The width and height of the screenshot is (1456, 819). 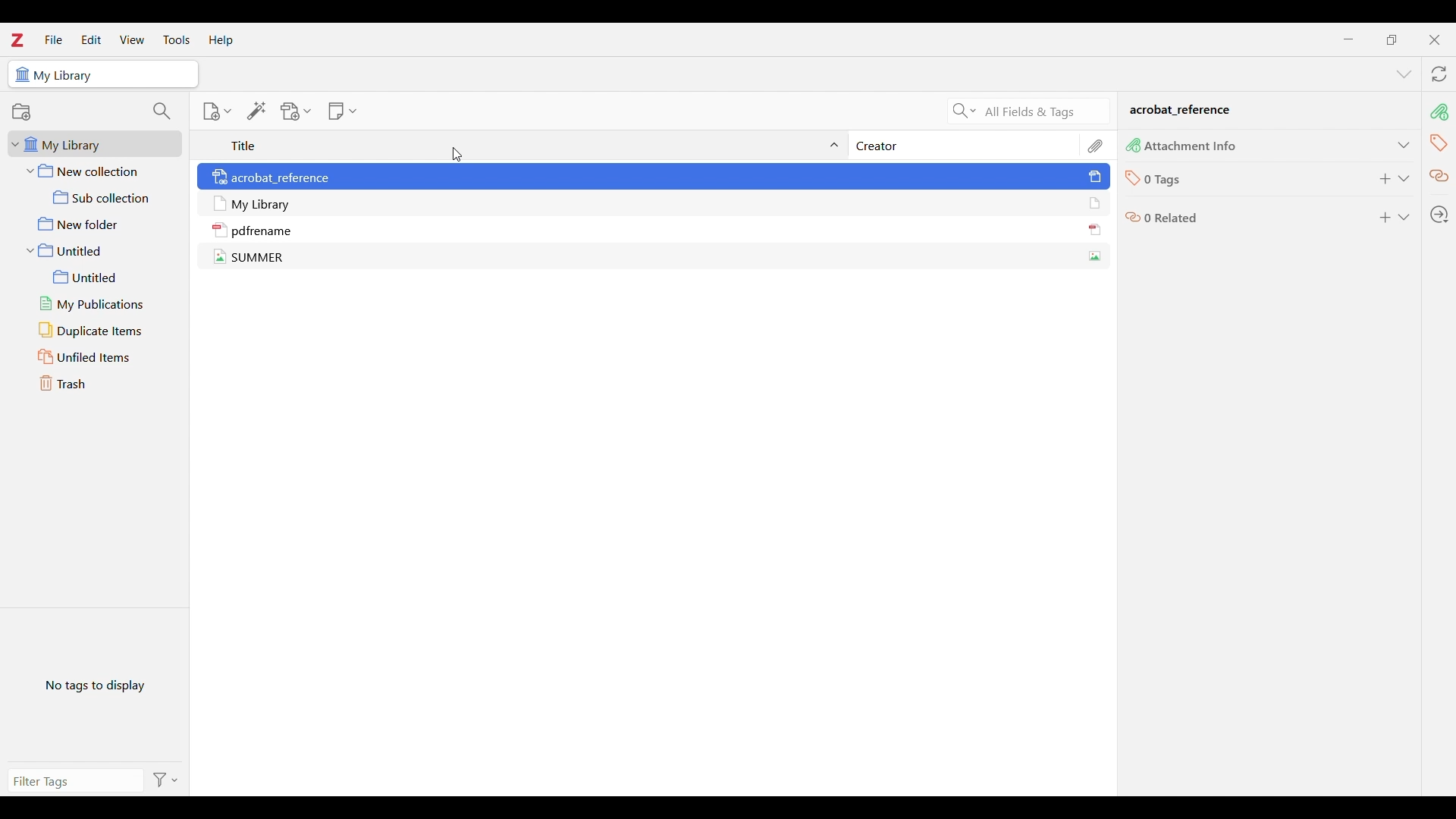 What do you see at coordinates (20, 111) in the screenshot?
I see `Add new collection` at bounding box center [20, 111].